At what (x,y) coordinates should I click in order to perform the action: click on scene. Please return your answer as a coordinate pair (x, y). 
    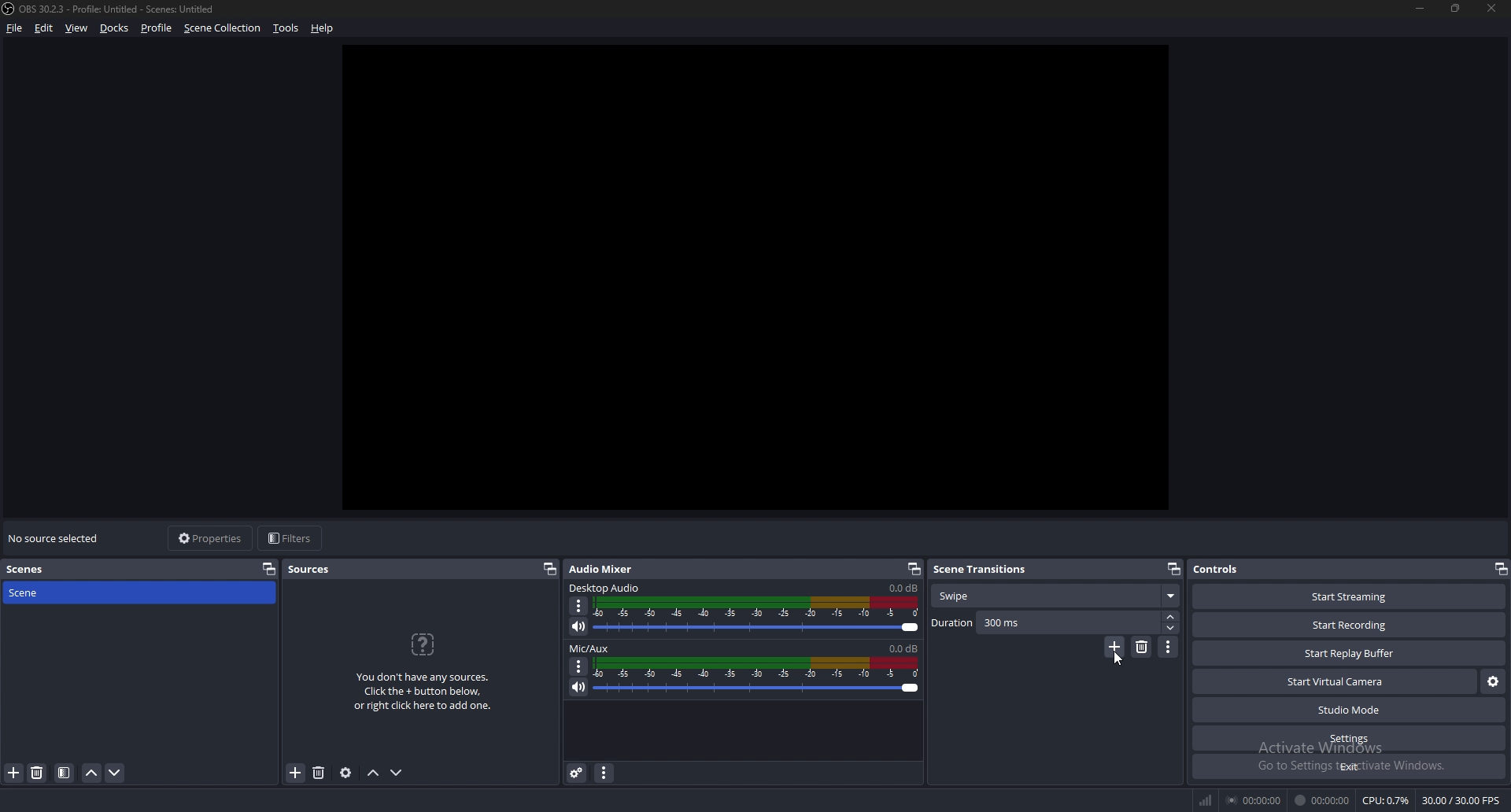
    Looking at the image, I should click on (52, 593).